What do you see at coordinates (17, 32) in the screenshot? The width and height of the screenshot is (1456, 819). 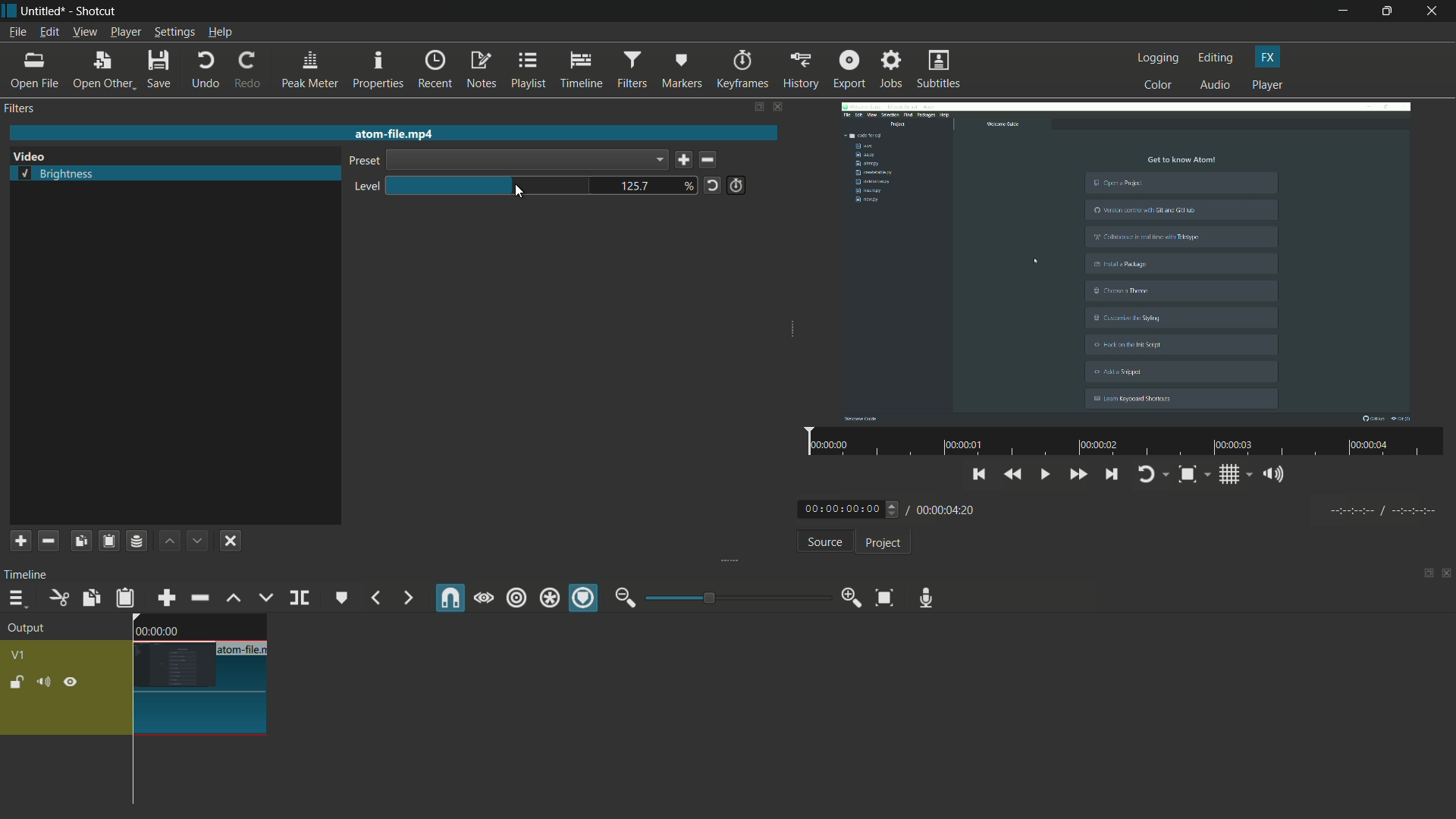 I see `file menu` at bounding box center [17, 32].